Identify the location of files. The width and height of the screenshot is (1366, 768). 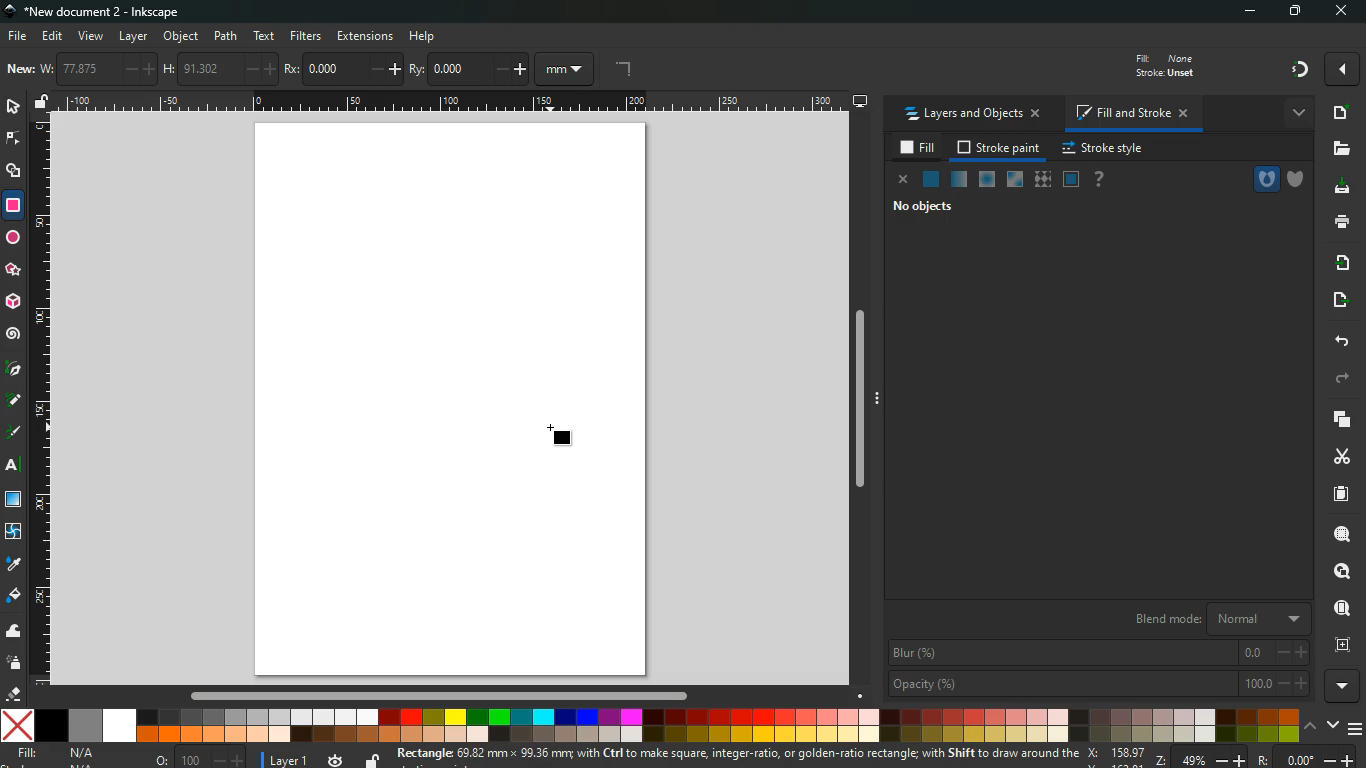
(1337, 151).